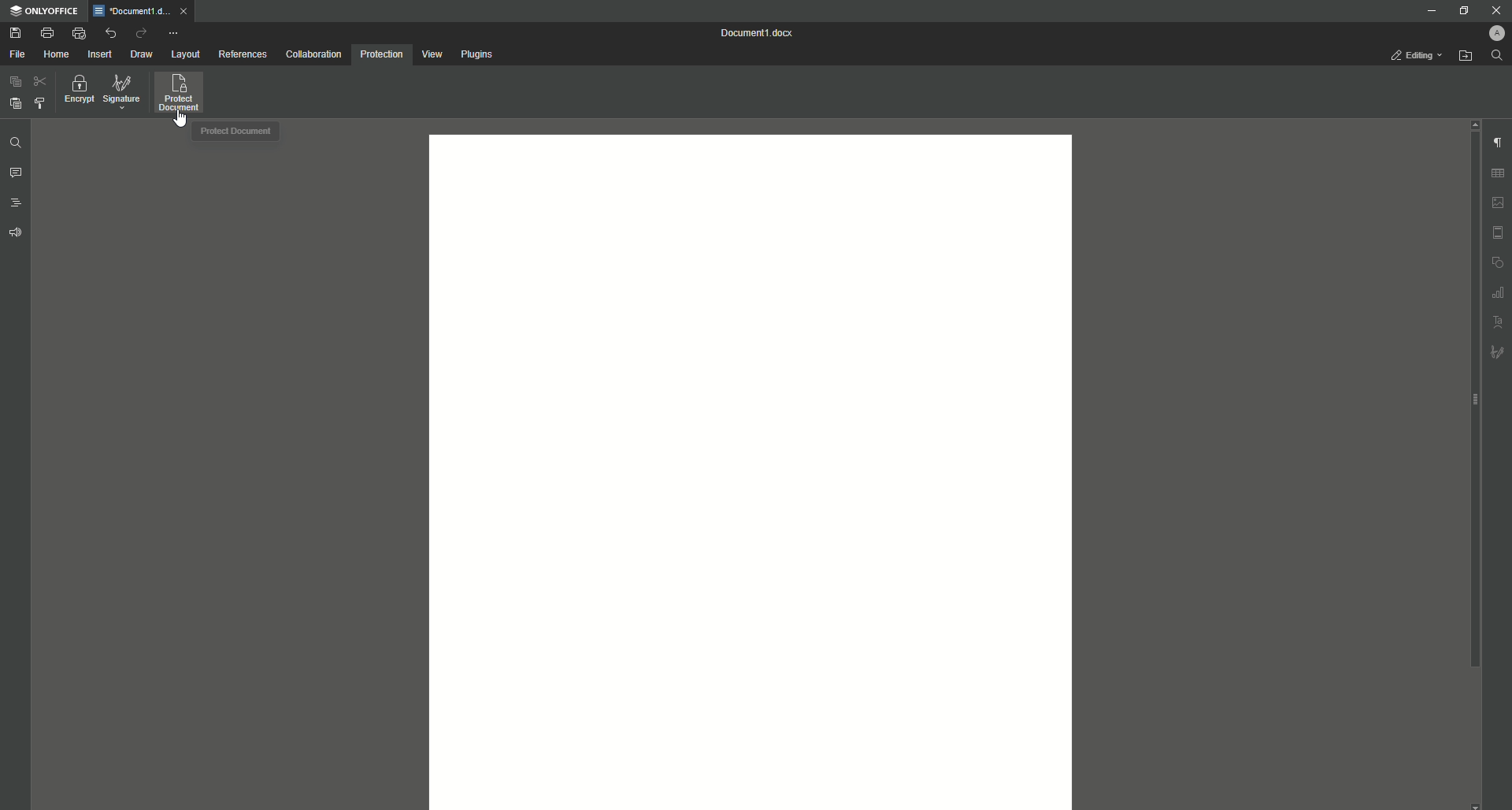  Describe the element at coordinates (1499, 55) in the screenshot. I see `Find` at that location.